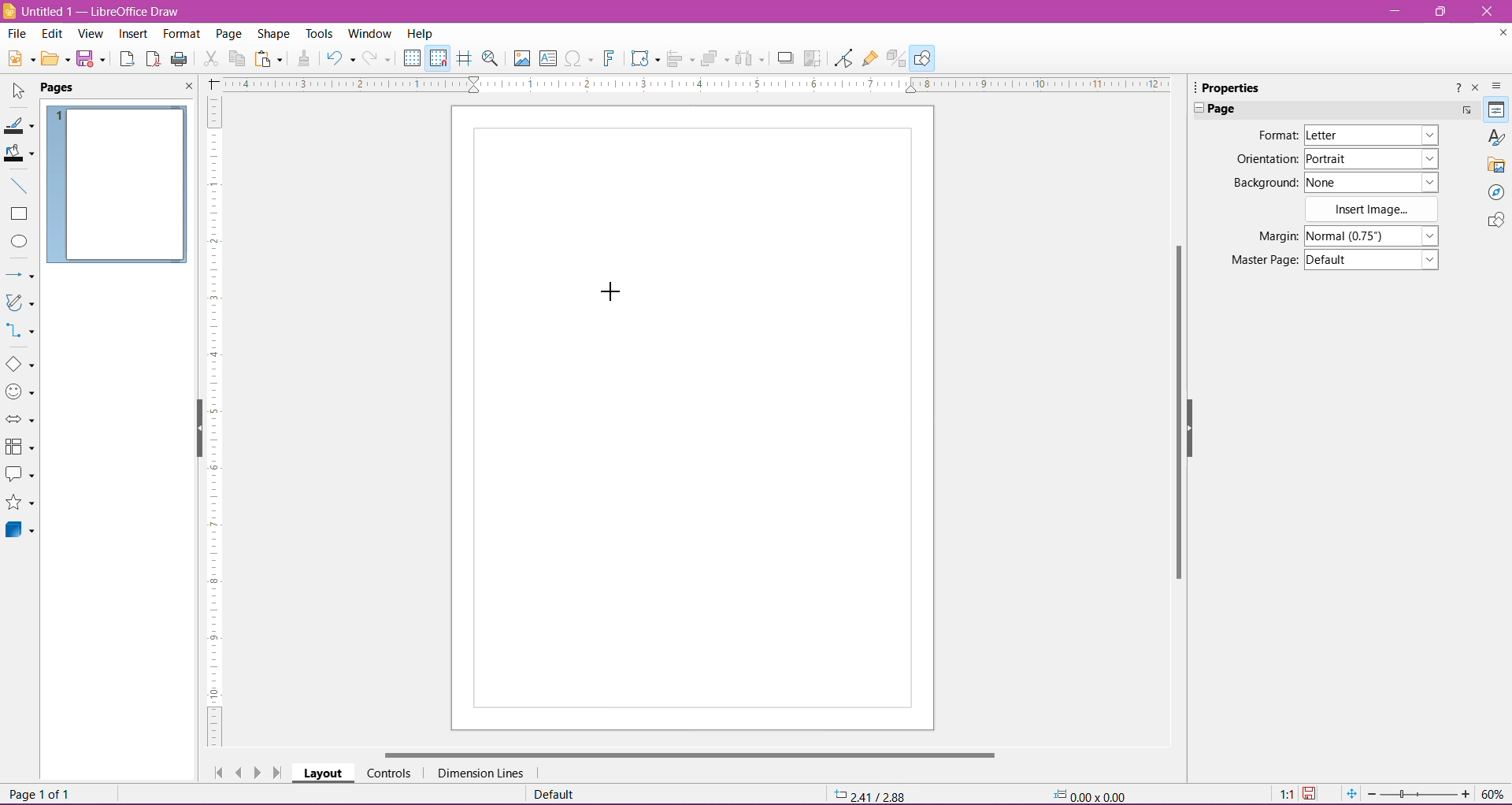 This screenshot has height=805, width=1512. Describe the element at coordinates (843, 58) in the screenshot. I see `Toggle Point Edit Mode` at that location.